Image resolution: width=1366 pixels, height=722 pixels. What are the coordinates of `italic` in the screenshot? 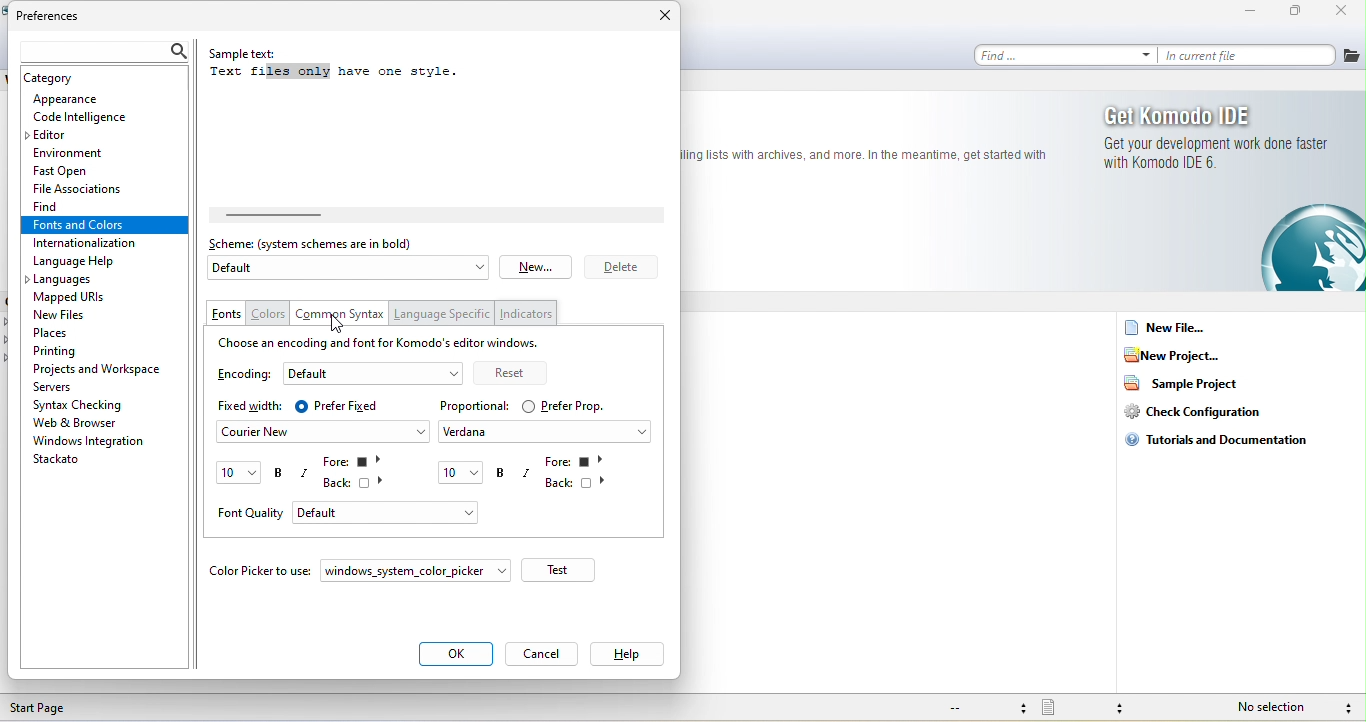 It's located at (529, 475).